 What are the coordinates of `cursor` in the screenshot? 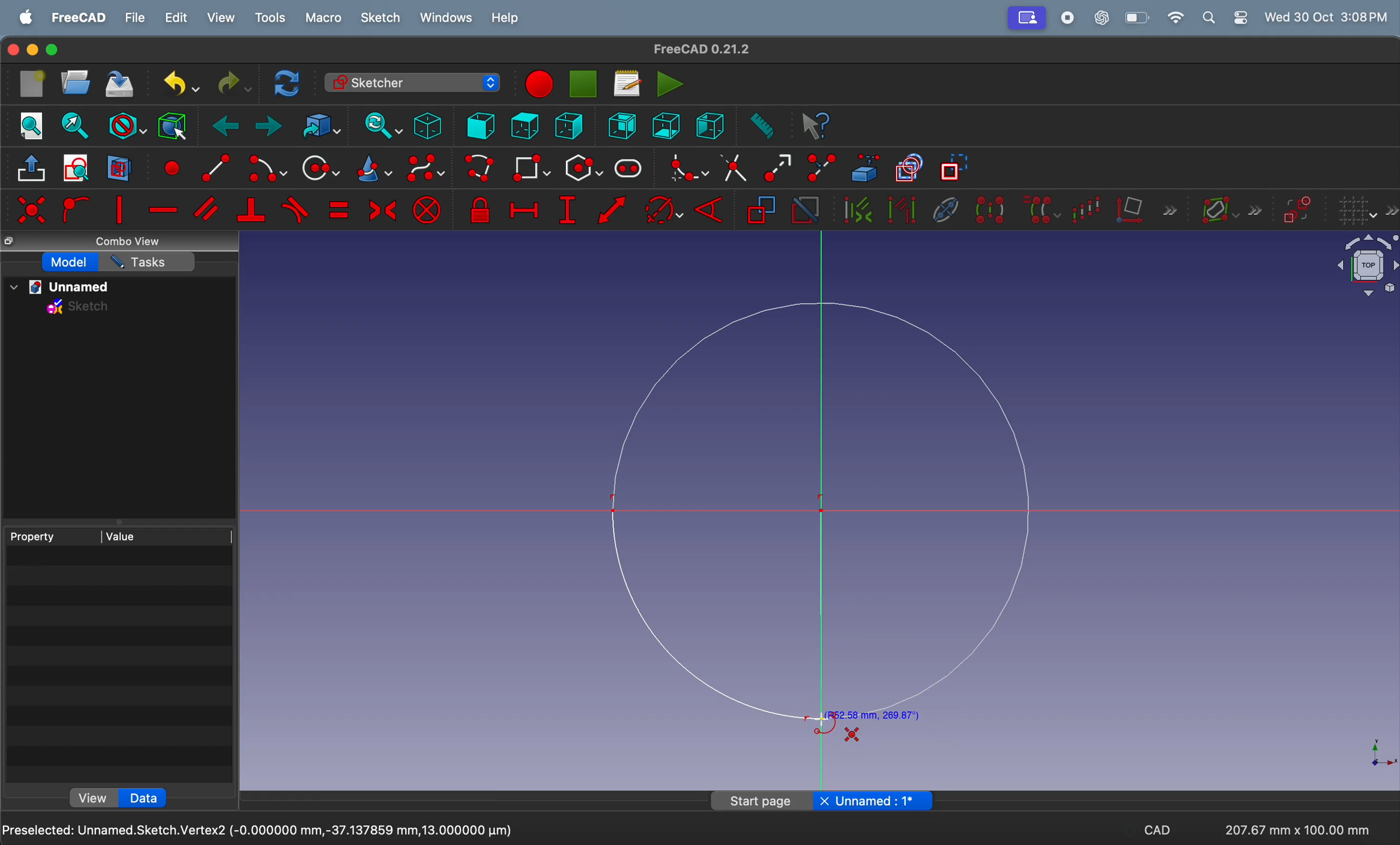 It's located at (823, 719).